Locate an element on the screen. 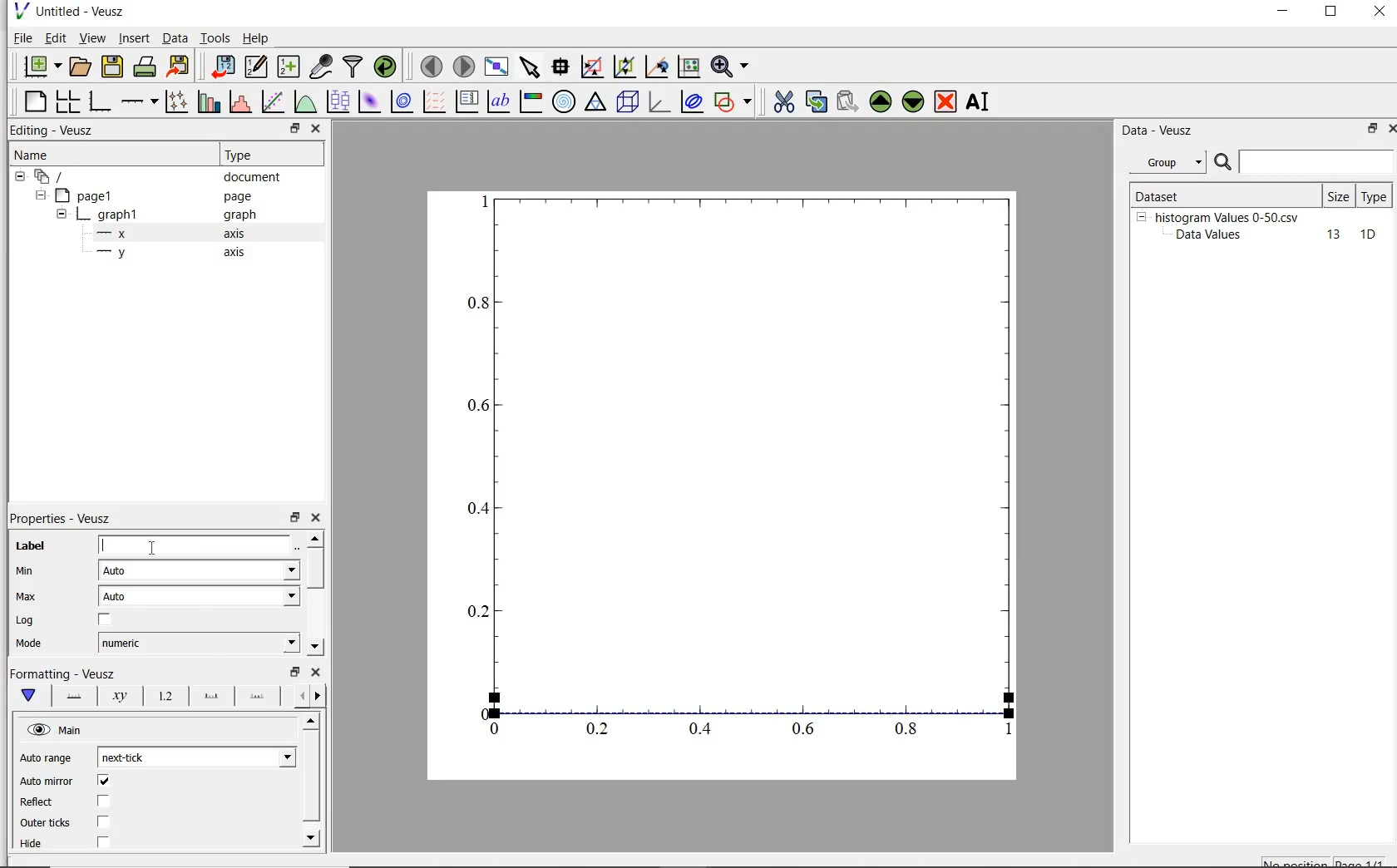  next options is located at coordinates (319, 696).